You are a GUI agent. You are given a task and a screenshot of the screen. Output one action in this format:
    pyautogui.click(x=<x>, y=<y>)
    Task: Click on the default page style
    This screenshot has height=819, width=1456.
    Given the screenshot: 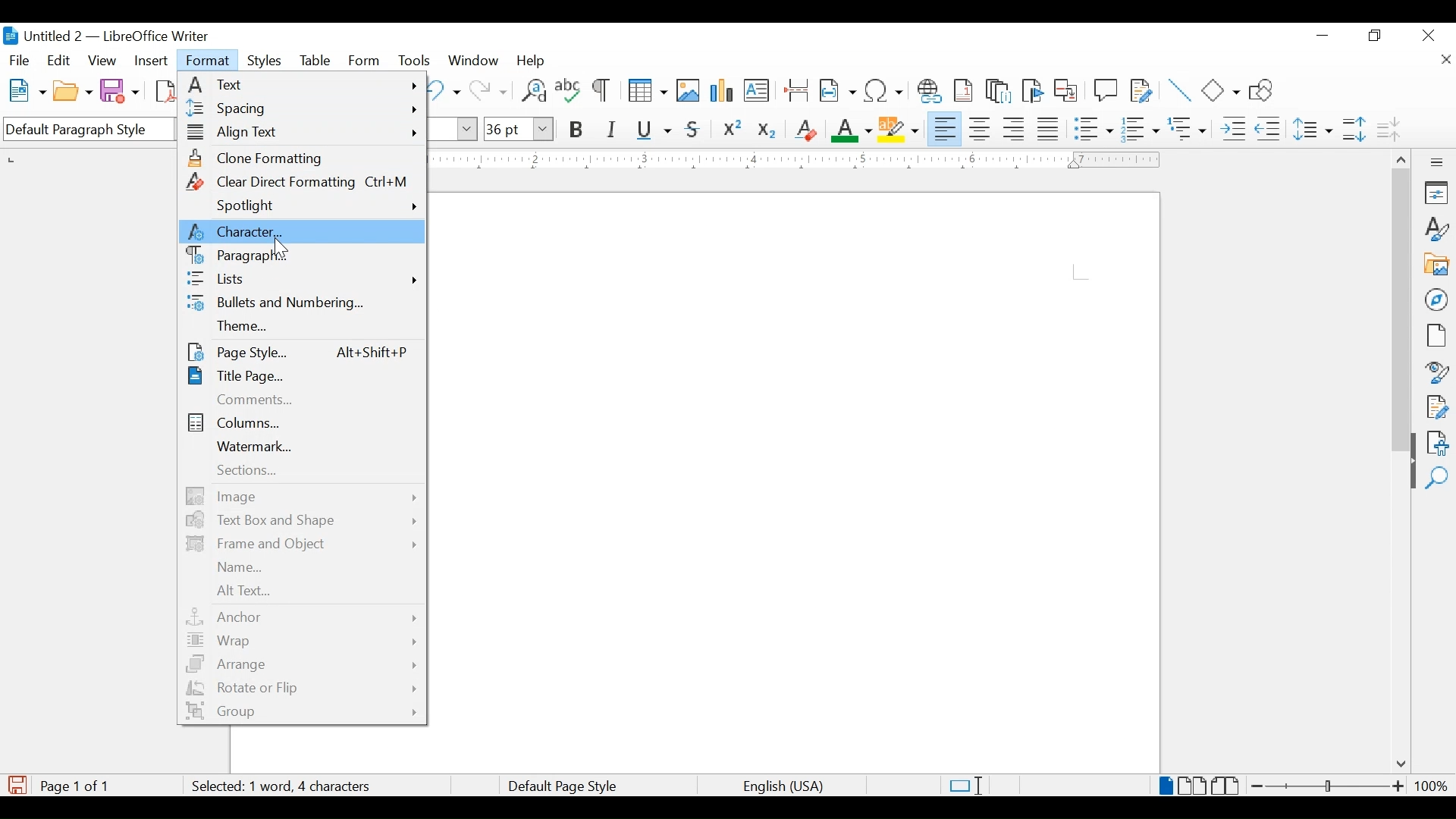 What is the action you would take?
    pyautogui.click(x=560, y=786)
    